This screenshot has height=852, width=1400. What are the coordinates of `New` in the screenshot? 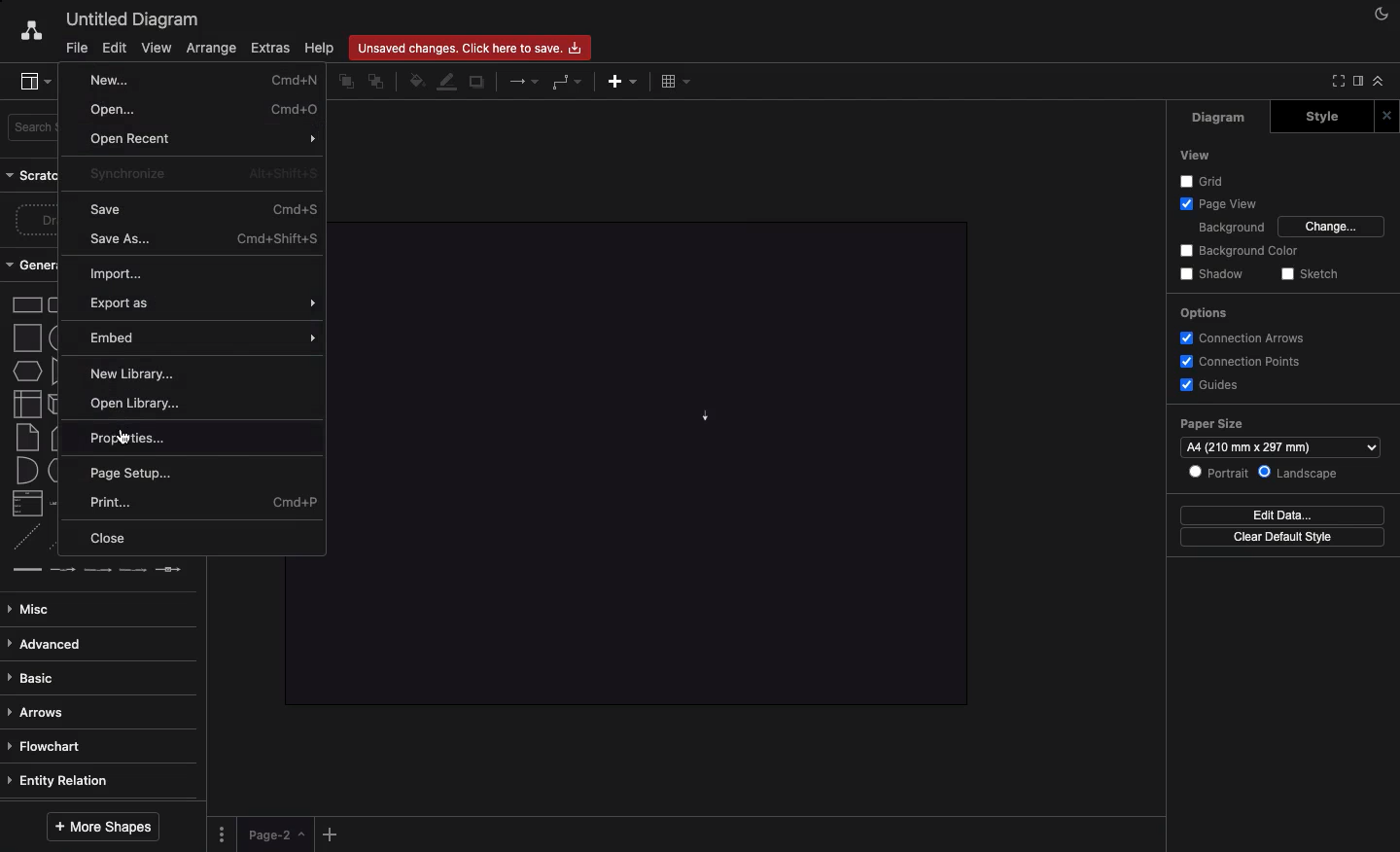 It's located at (206, 80).